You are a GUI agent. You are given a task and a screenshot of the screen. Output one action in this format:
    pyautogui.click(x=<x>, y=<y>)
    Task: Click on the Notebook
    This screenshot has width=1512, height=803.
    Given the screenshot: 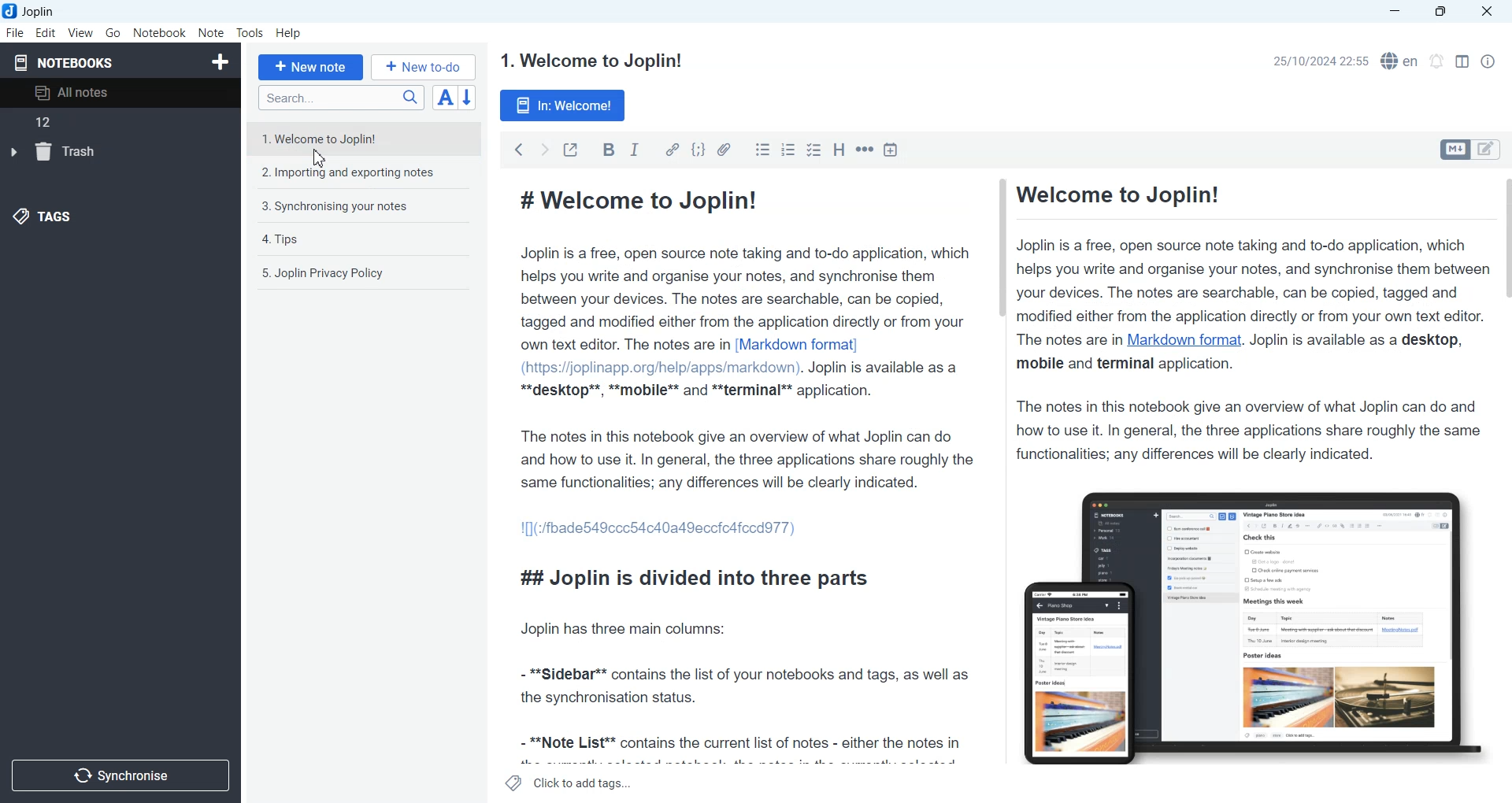 What is the action you would take?
    pyautogui.click(x=160, y=33)
    